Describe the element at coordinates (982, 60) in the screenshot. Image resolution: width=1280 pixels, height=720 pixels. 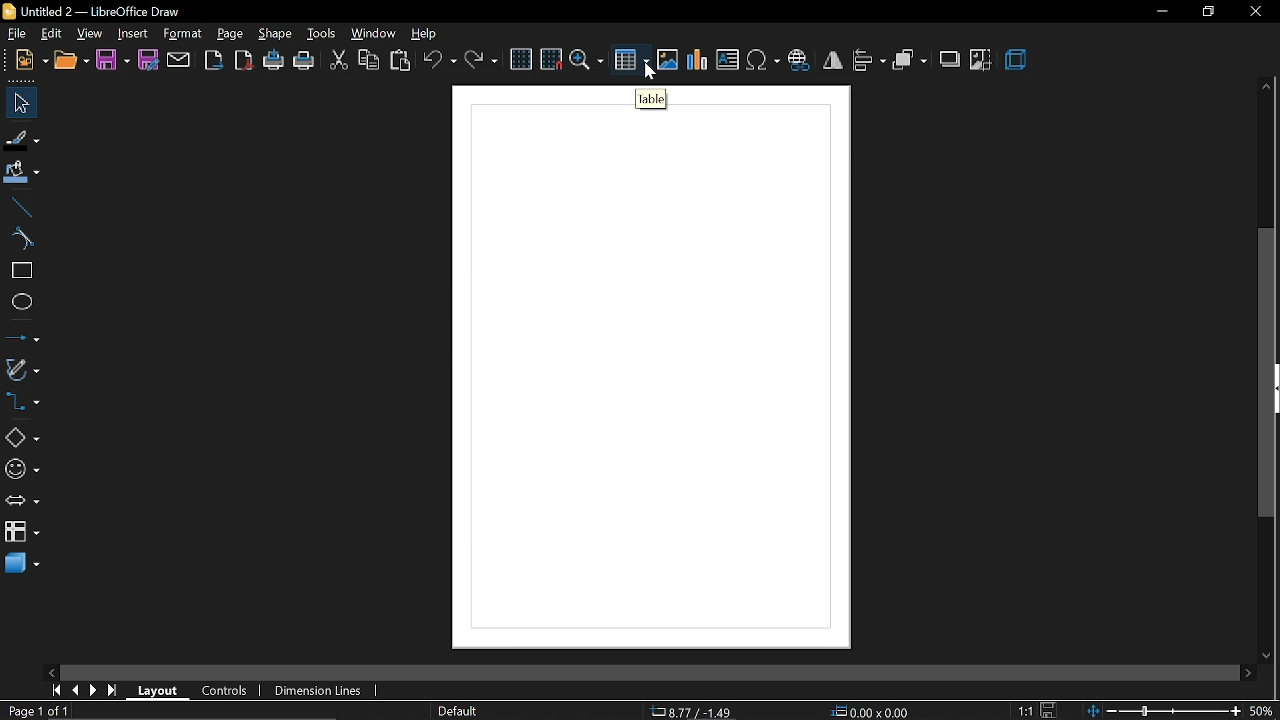
I see `crop` at that location.